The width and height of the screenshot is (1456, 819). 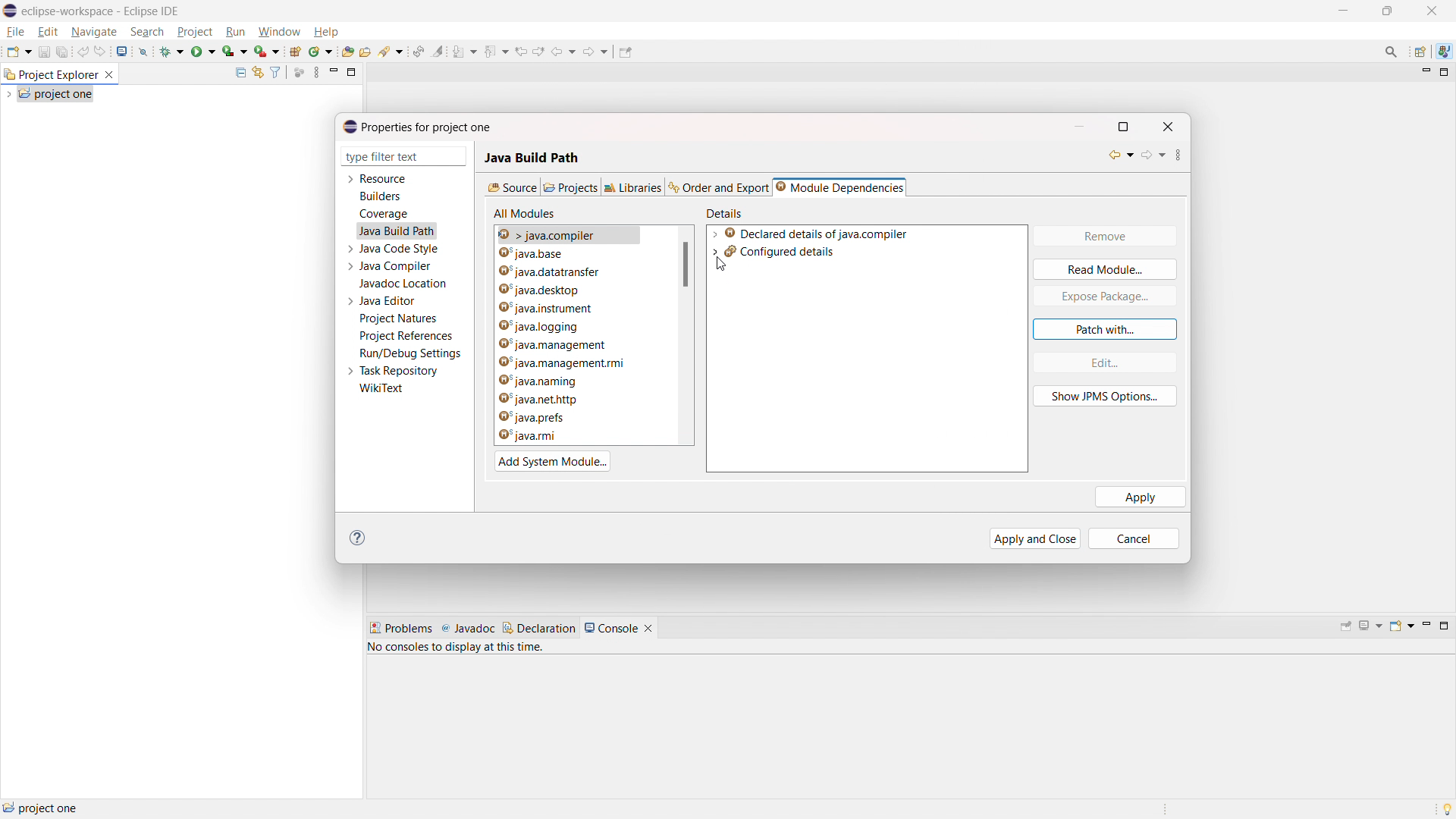 I want to click on java build path selected, so click(x=396, y=231).